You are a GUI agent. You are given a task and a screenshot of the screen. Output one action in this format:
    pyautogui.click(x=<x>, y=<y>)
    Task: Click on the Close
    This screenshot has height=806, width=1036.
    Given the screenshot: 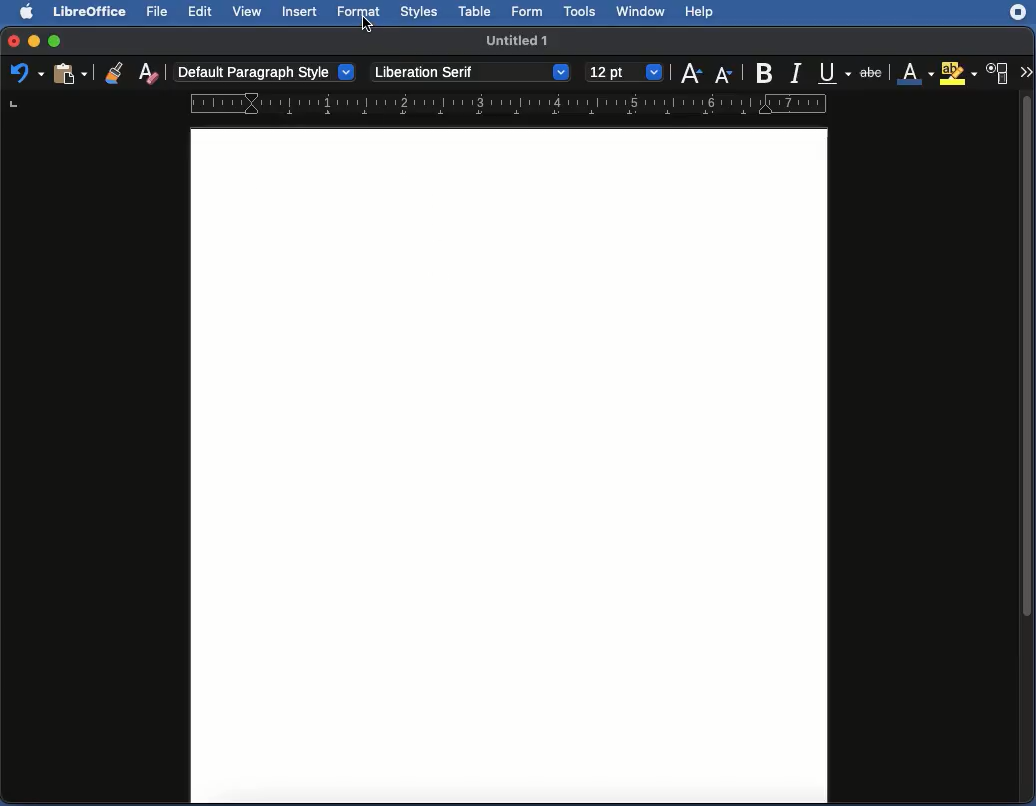 What is the action you would take?
    pyautogui.click(x=12, y=39)
    